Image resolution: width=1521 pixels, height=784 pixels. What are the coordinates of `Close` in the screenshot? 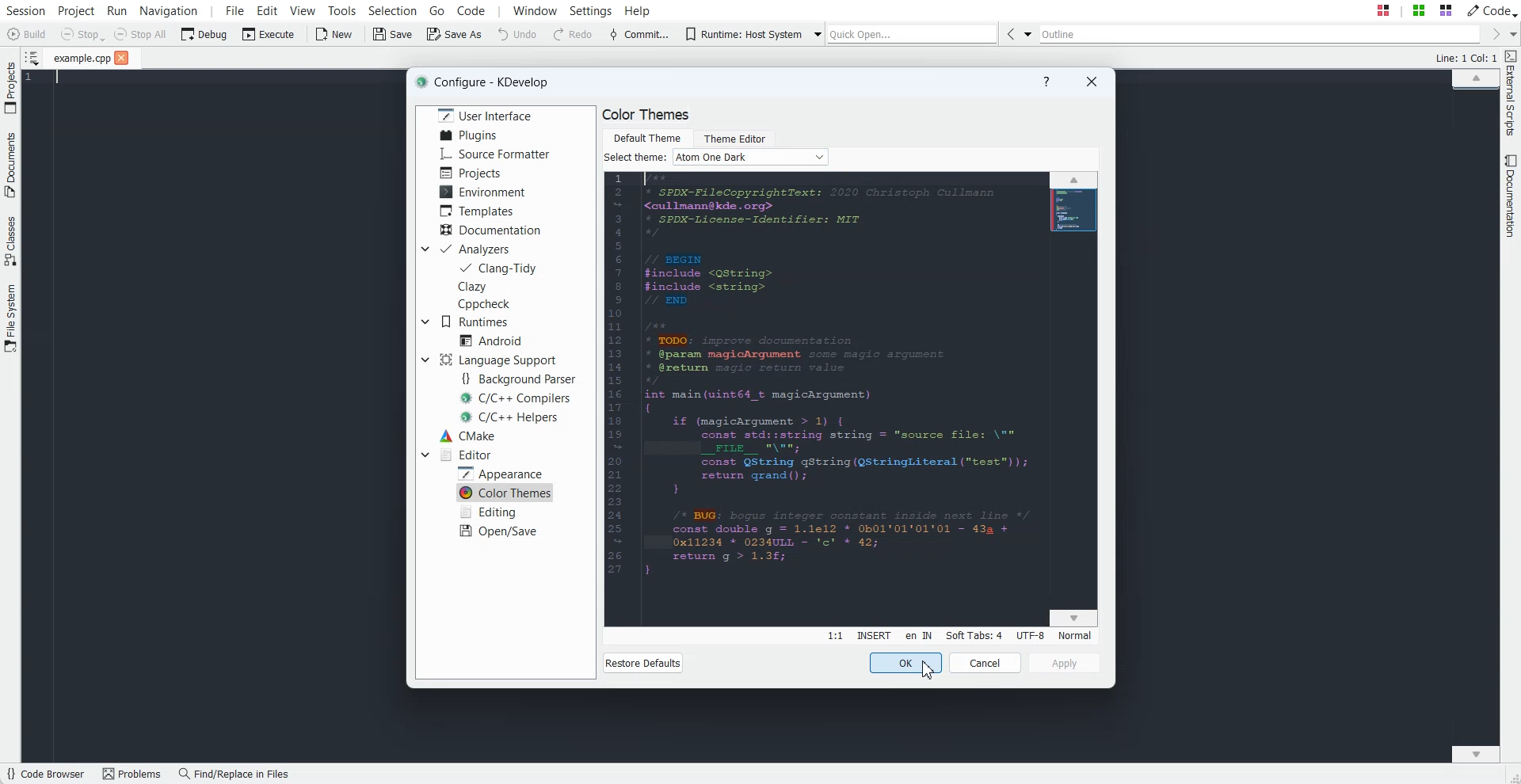 It's located at (1091, 81).